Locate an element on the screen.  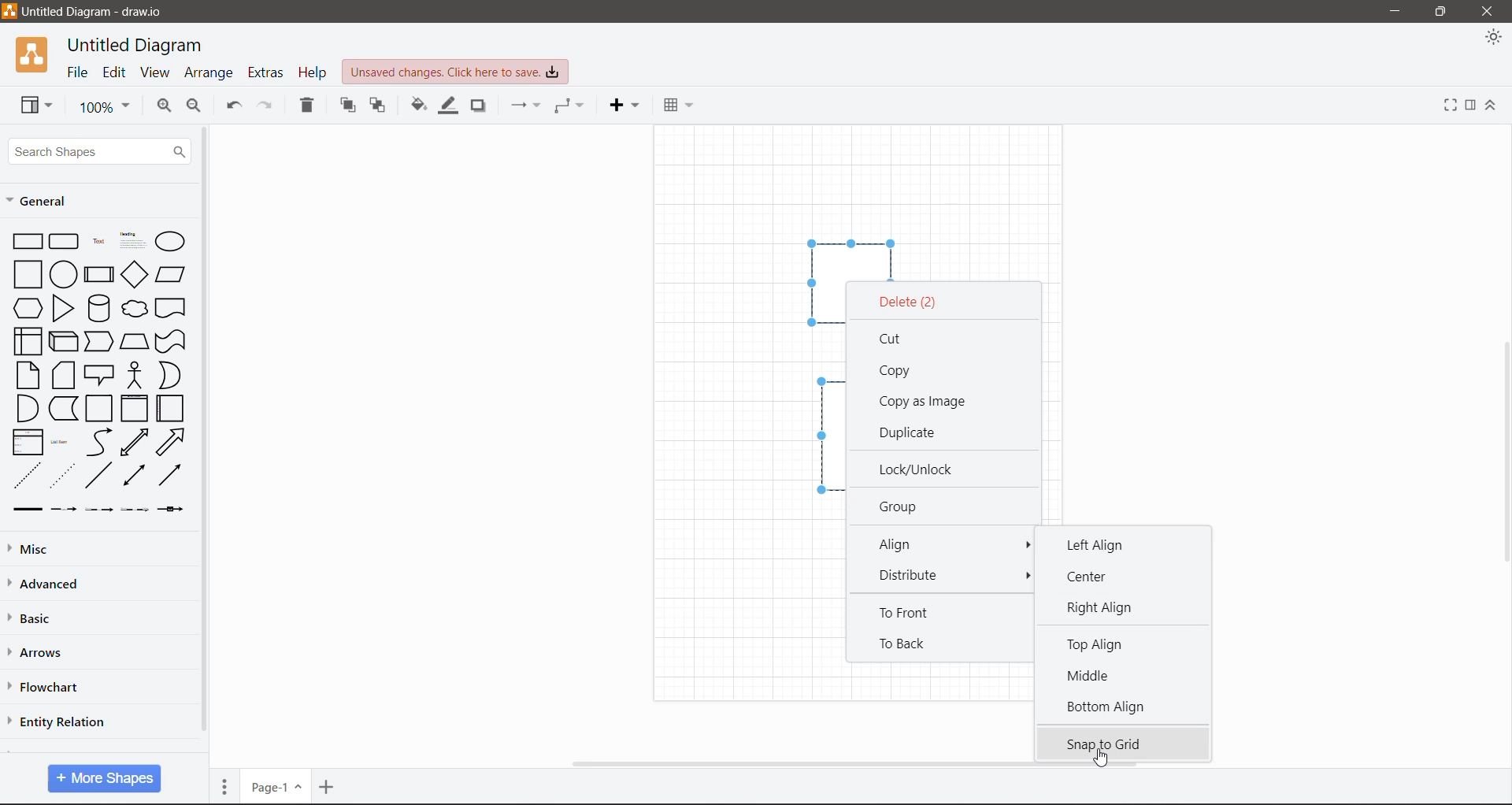
Extras is located at coordinates (265, 72).